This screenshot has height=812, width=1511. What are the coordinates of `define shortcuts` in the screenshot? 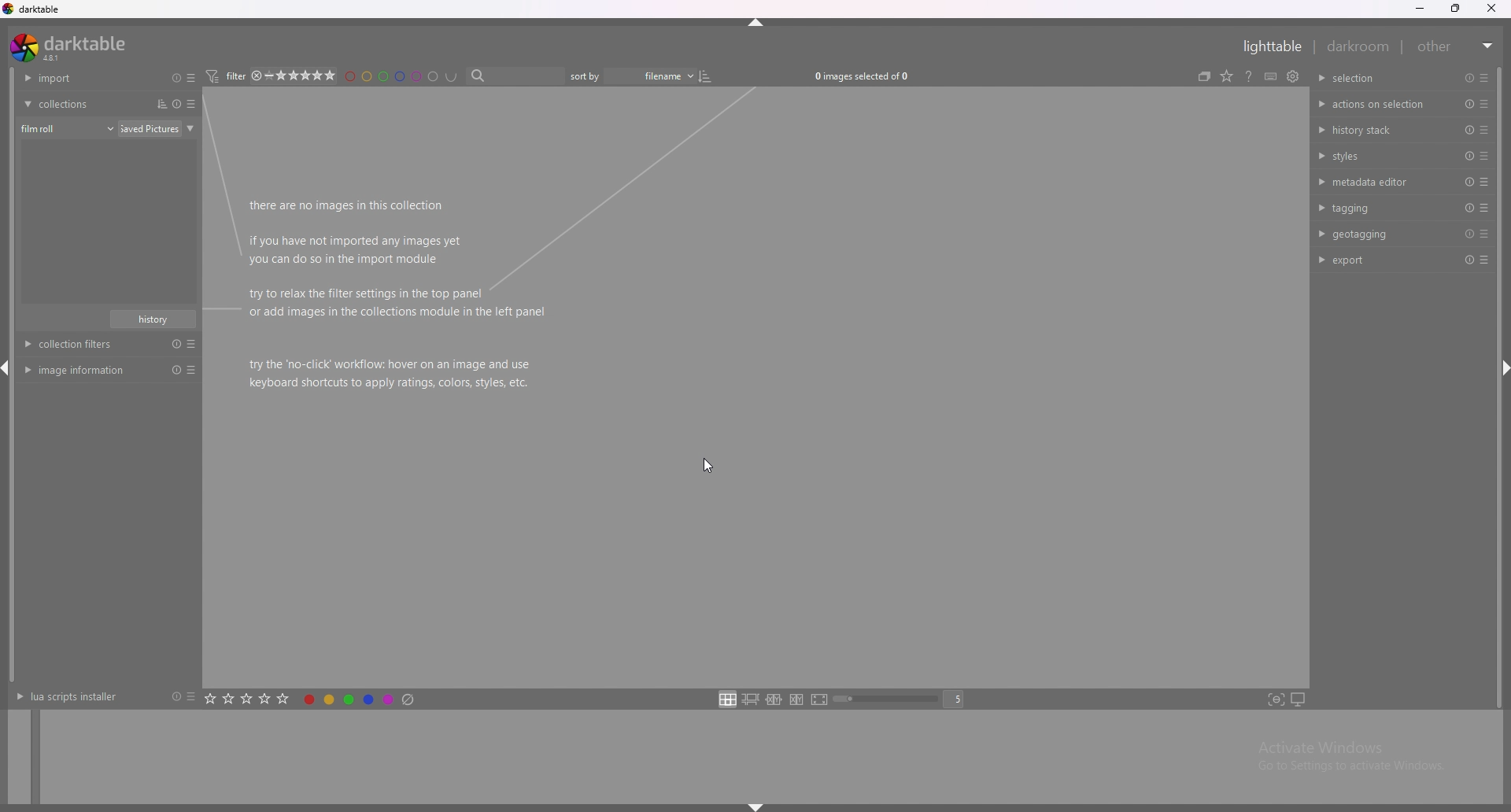 It's located at (1289, 76).